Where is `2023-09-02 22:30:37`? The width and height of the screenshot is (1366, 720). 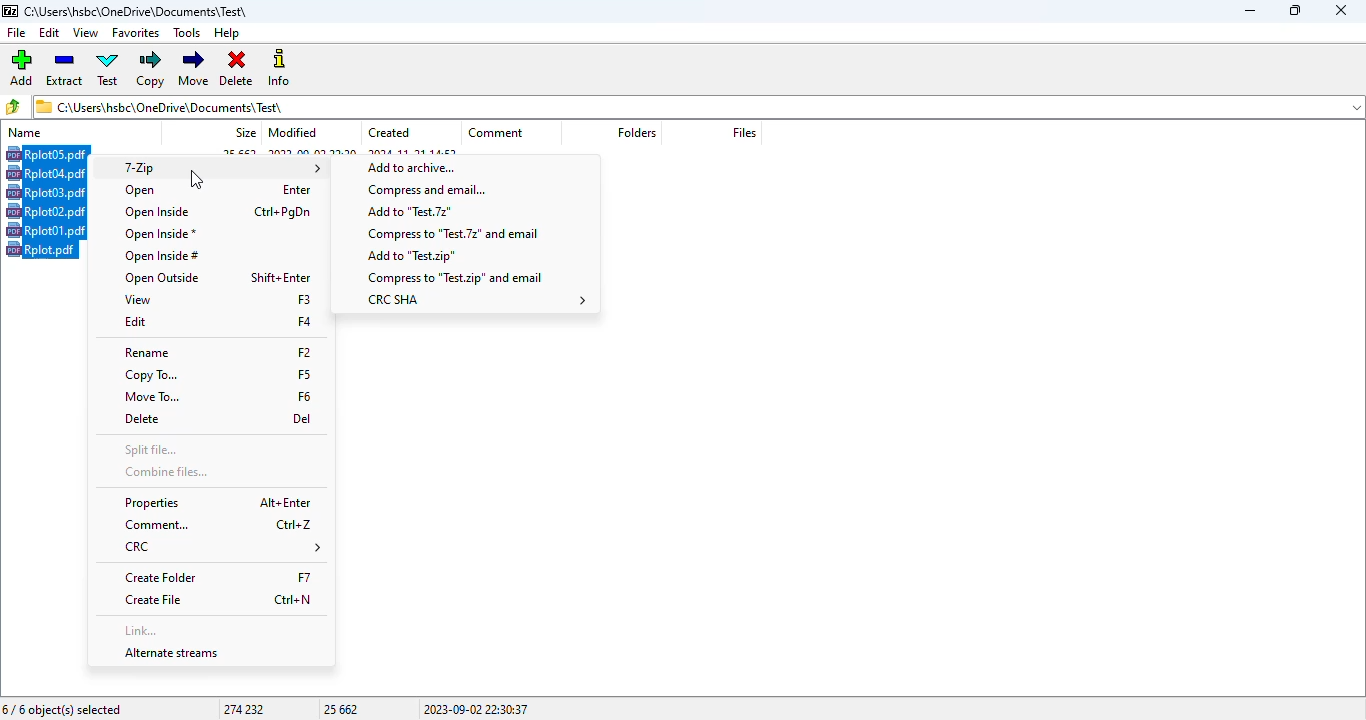 2023-09-02 22:30:37 is located at coordinates (476, 709).